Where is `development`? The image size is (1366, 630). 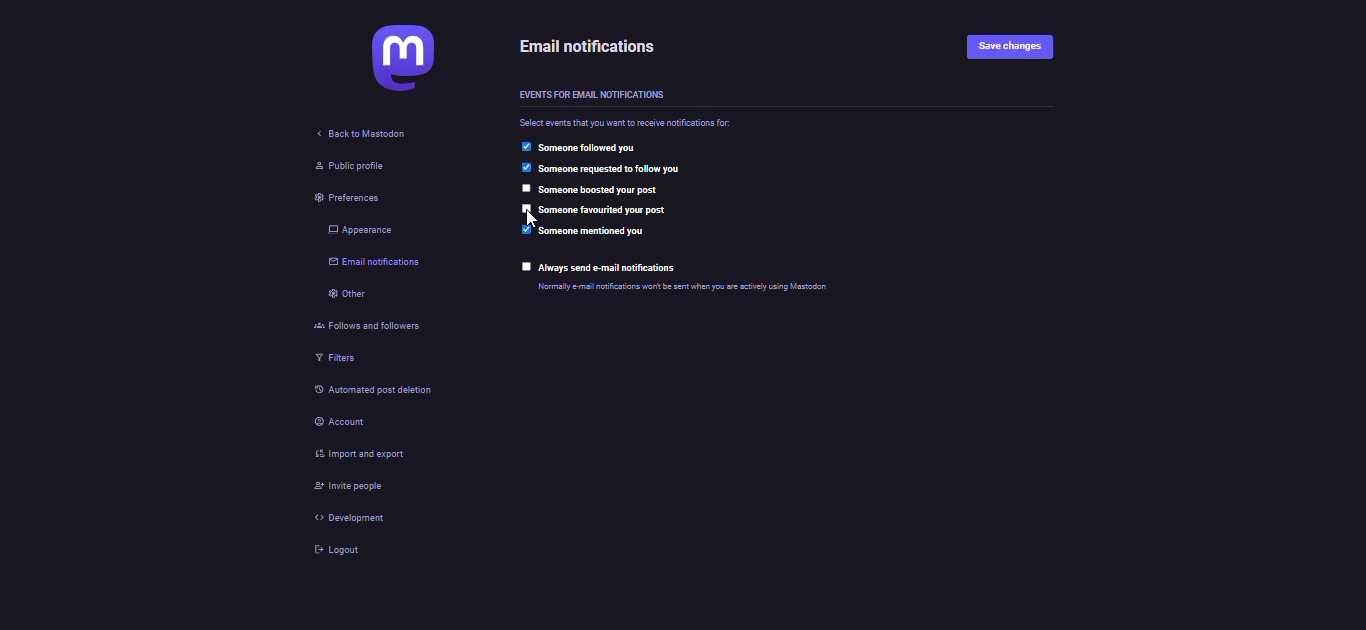 development is located at coordinates (345, 518).